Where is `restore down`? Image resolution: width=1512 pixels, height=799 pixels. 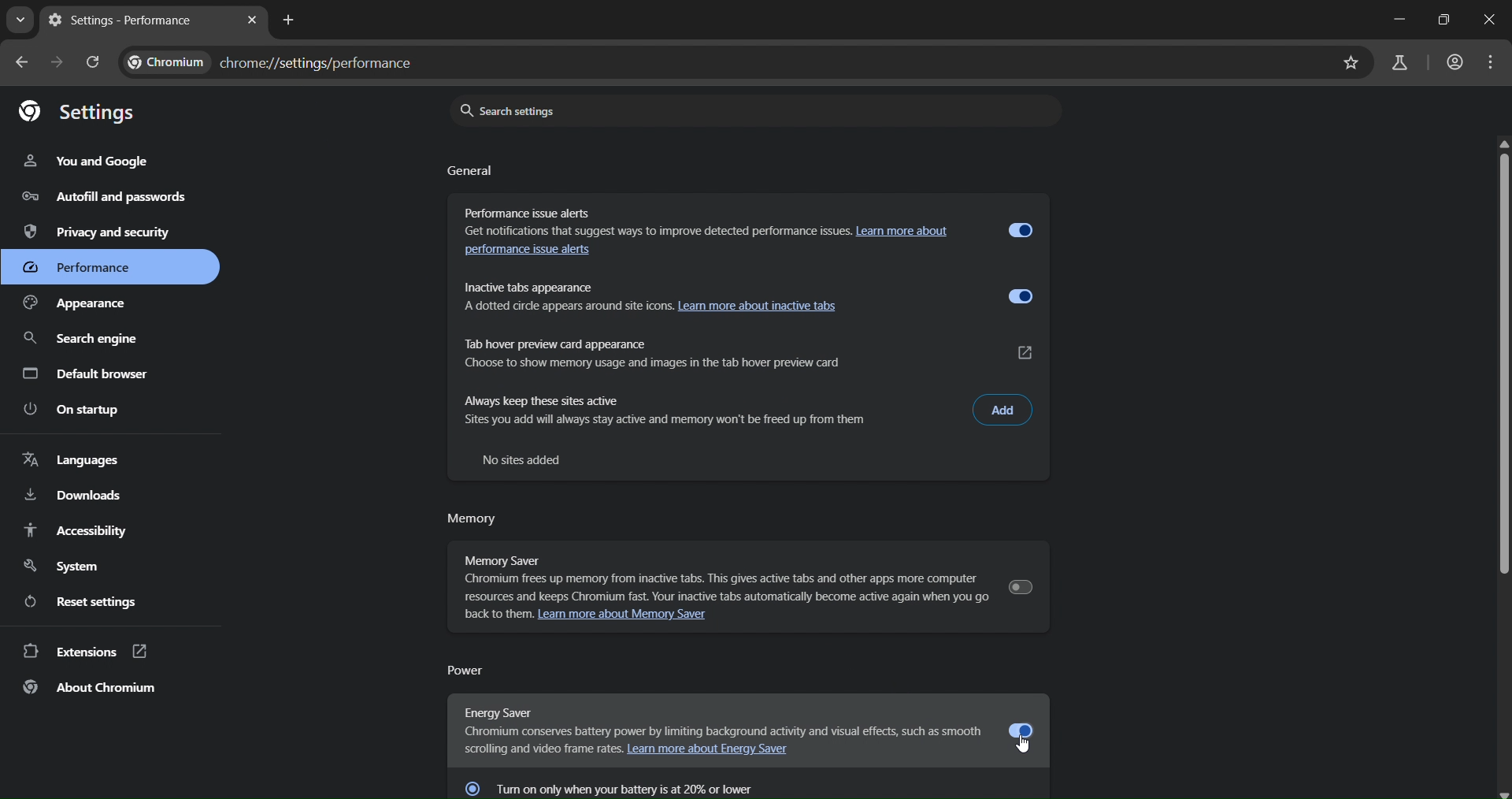 restore down is located at coordinates (1443, 20).